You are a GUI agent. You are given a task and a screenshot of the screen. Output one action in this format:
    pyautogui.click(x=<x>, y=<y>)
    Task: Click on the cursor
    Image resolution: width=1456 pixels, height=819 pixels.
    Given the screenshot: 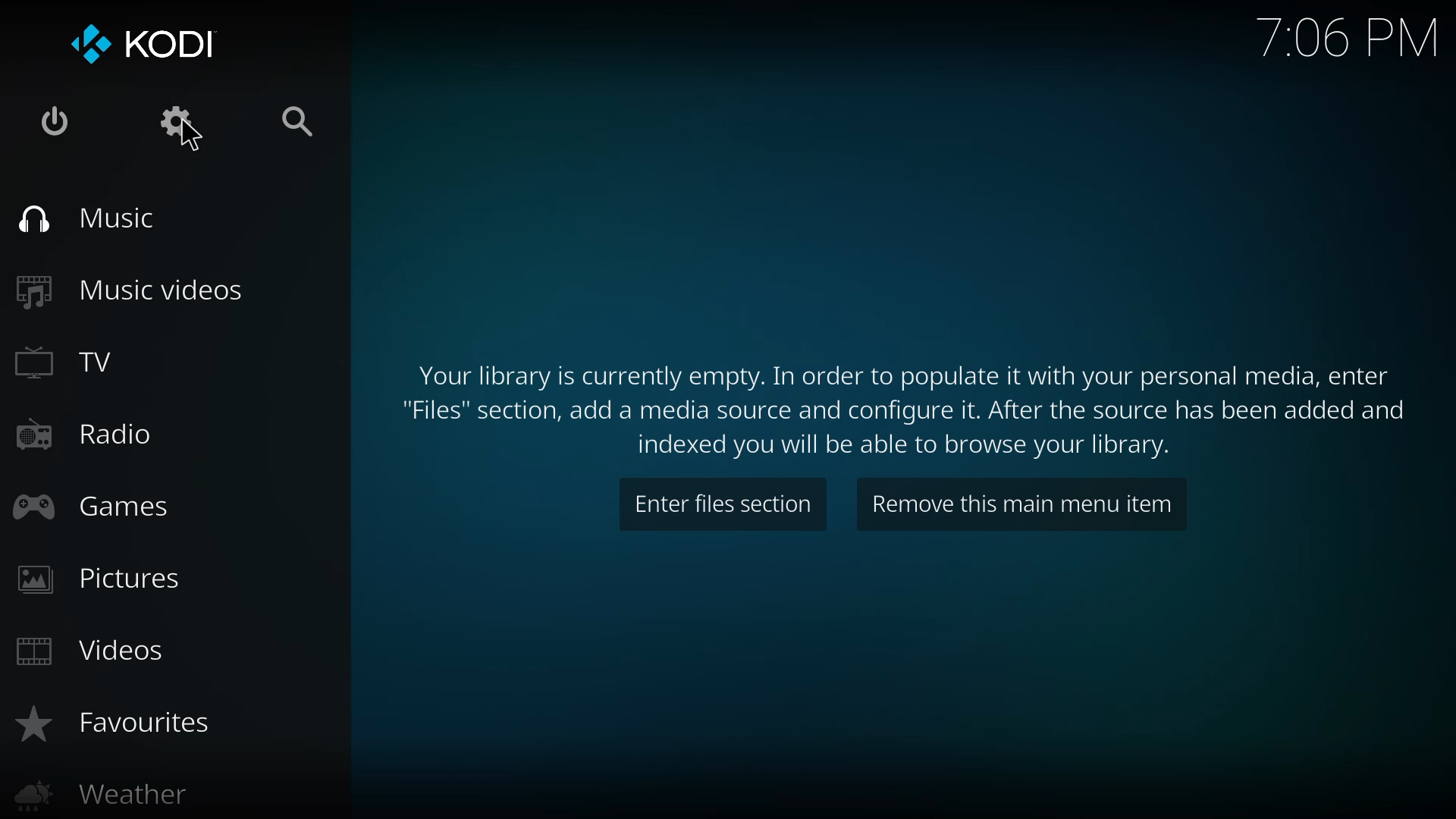 What is the action you would take?
    pyautogui.click(x=193, y=140)
    